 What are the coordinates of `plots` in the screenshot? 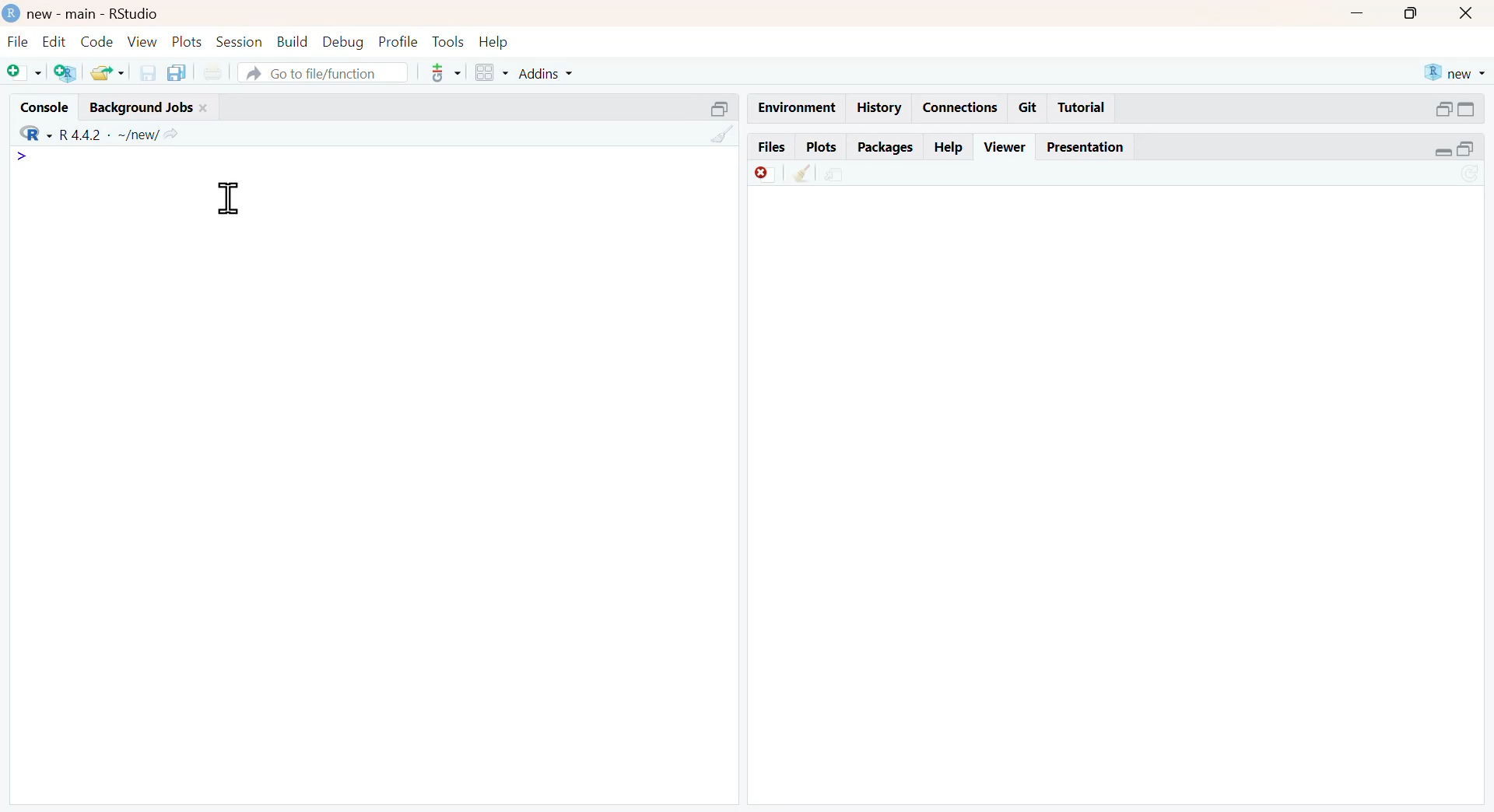 It's located at (188, 41).